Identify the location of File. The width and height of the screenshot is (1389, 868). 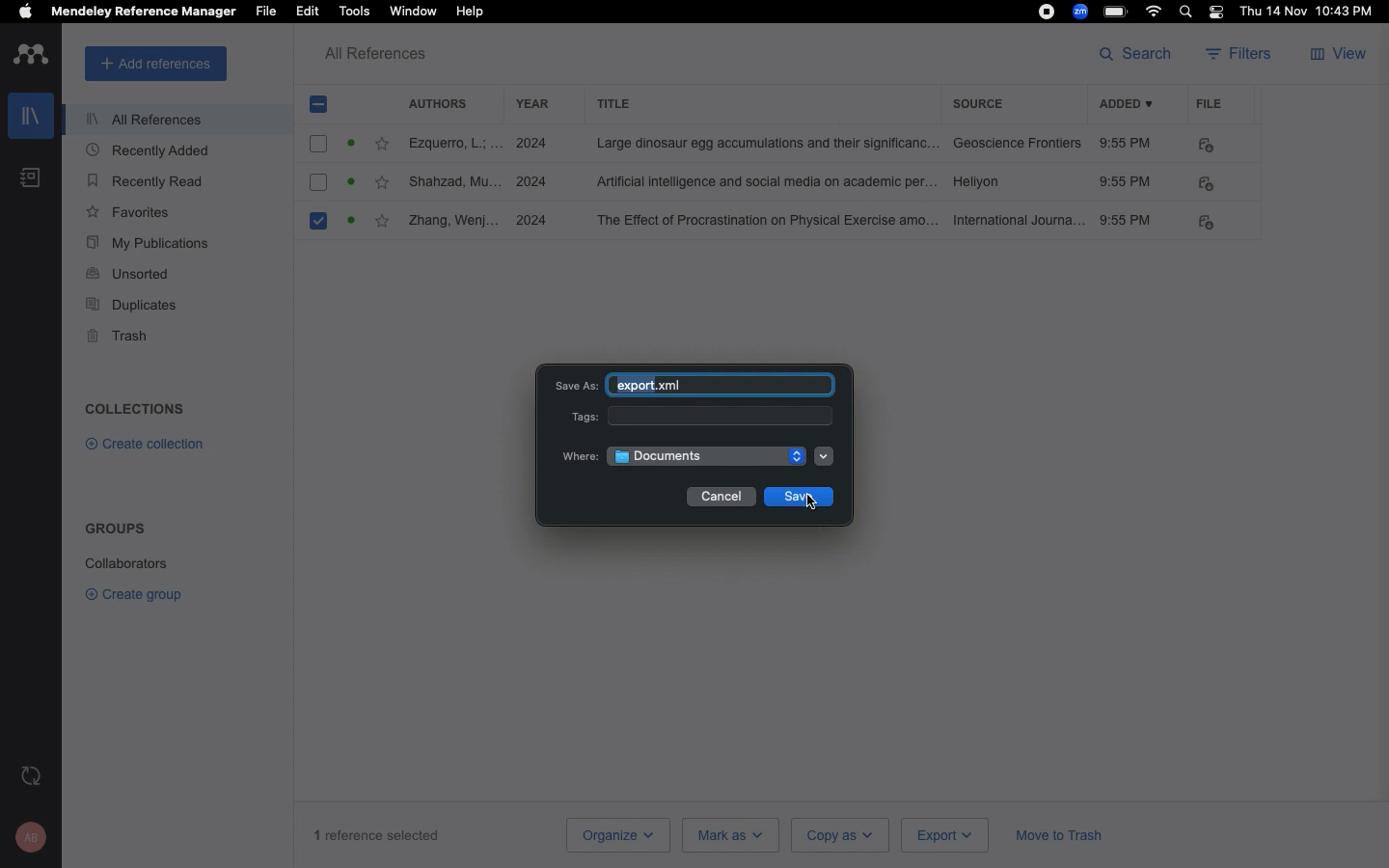
(267, 12).